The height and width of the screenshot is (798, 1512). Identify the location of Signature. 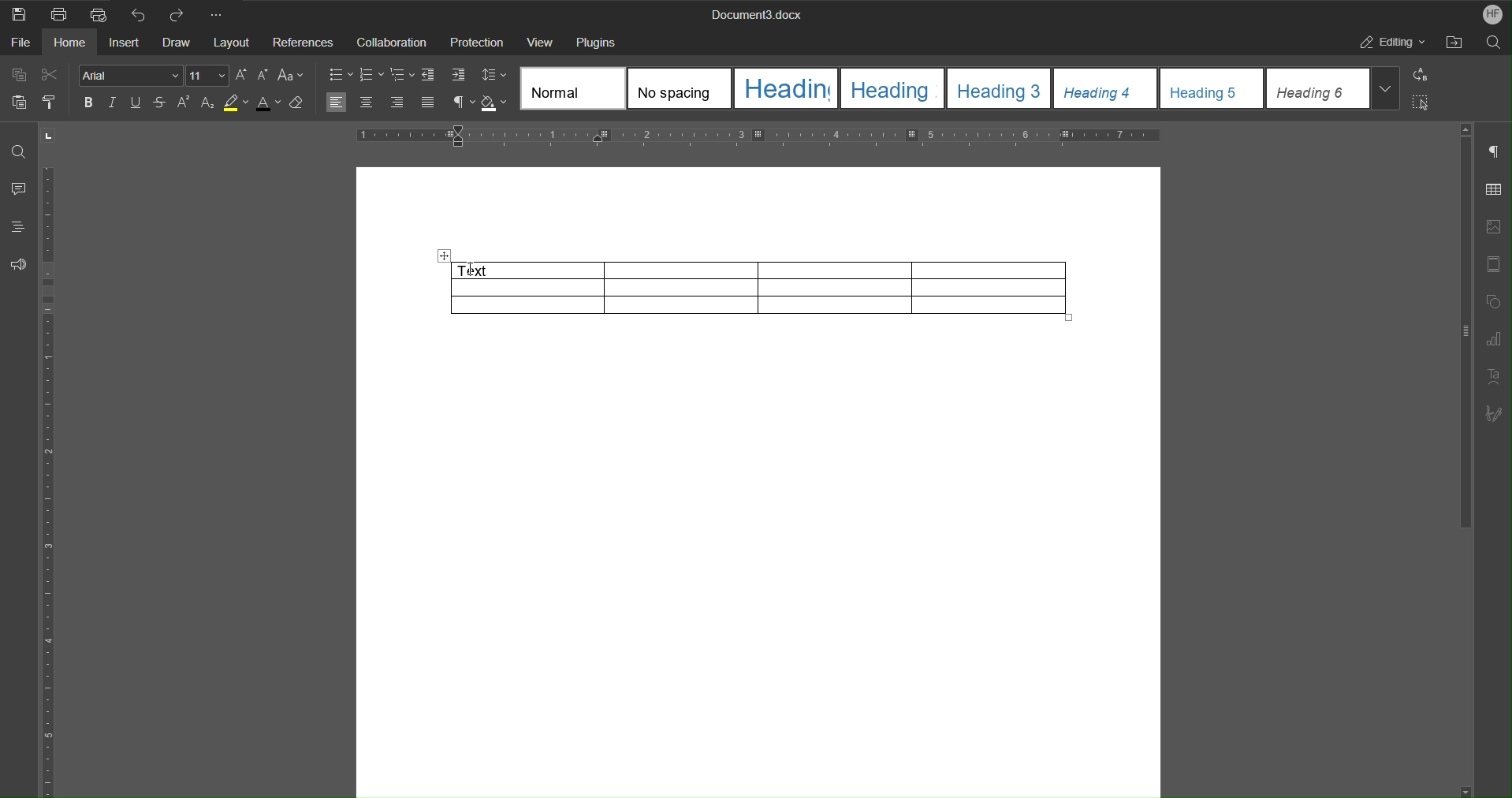
(1495, 410).